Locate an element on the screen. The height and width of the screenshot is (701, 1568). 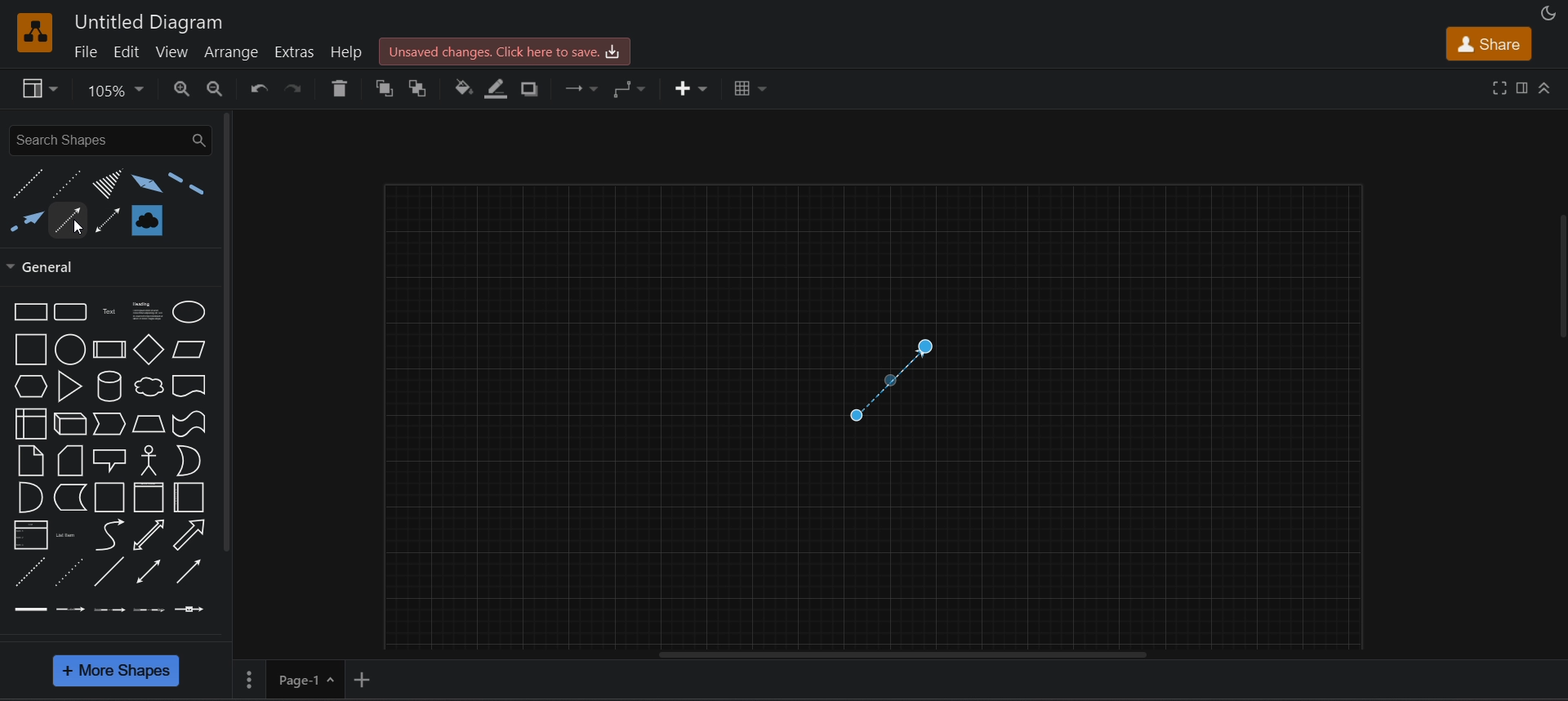
horizontal scroll bar is located at coordinates (904, 657).